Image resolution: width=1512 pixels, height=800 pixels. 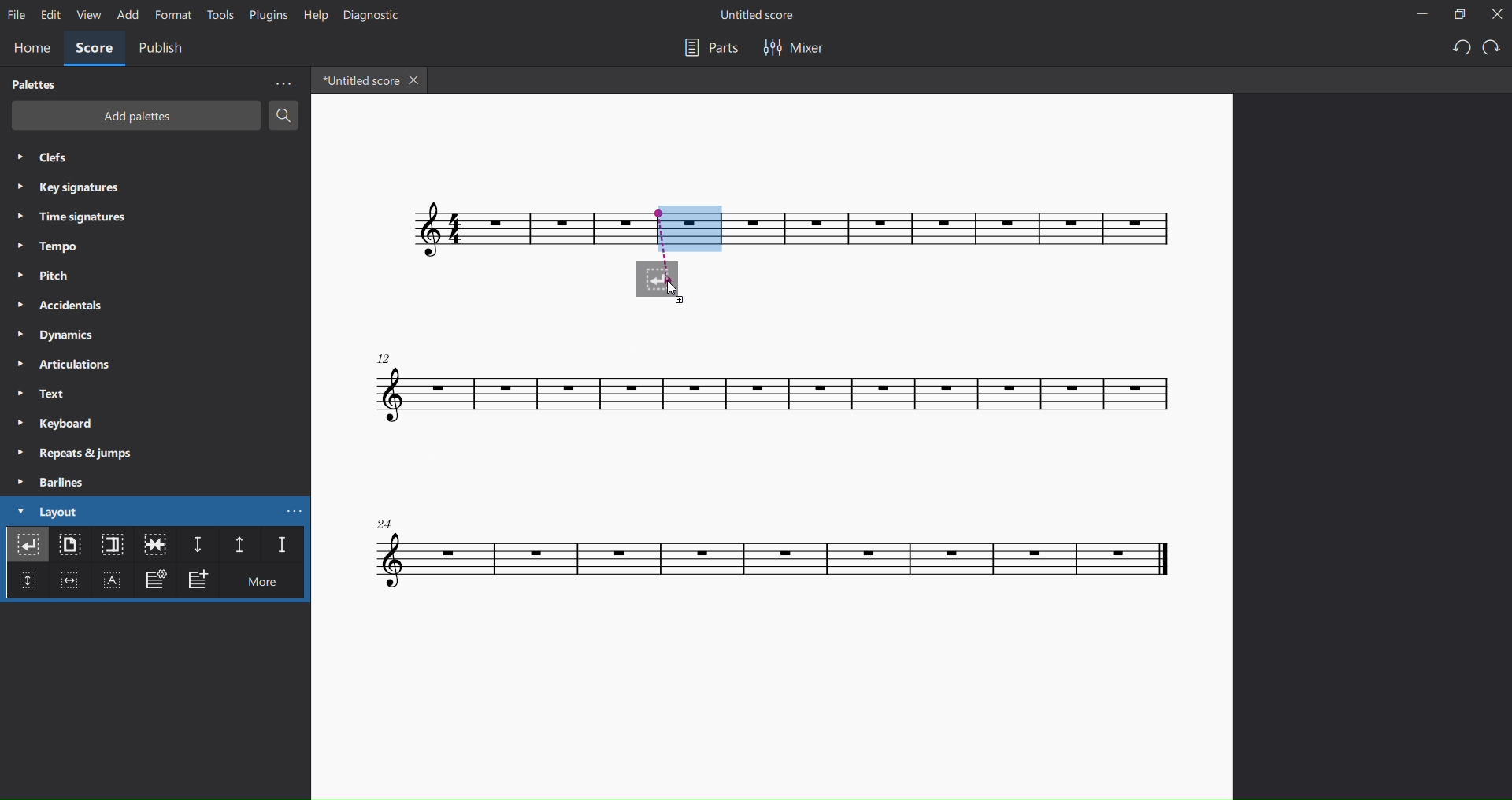 I want to click on staff spacer fixed down, so click(x=278, y=546).